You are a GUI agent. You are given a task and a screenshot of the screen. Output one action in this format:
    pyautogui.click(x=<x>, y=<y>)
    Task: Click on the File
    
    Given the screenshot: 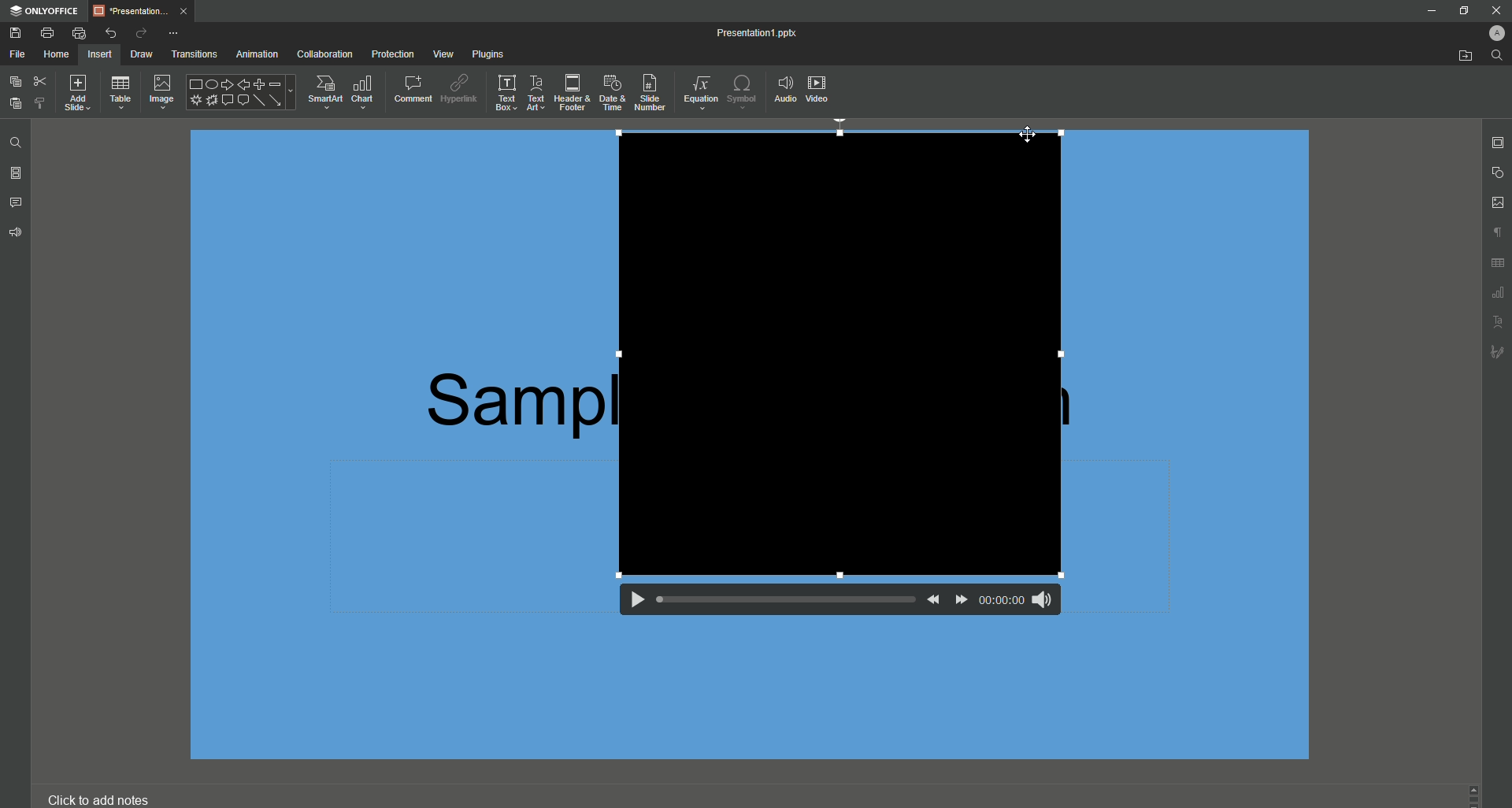 What is the action you would take?
    pyautogui.click(x=17, y=54)
    